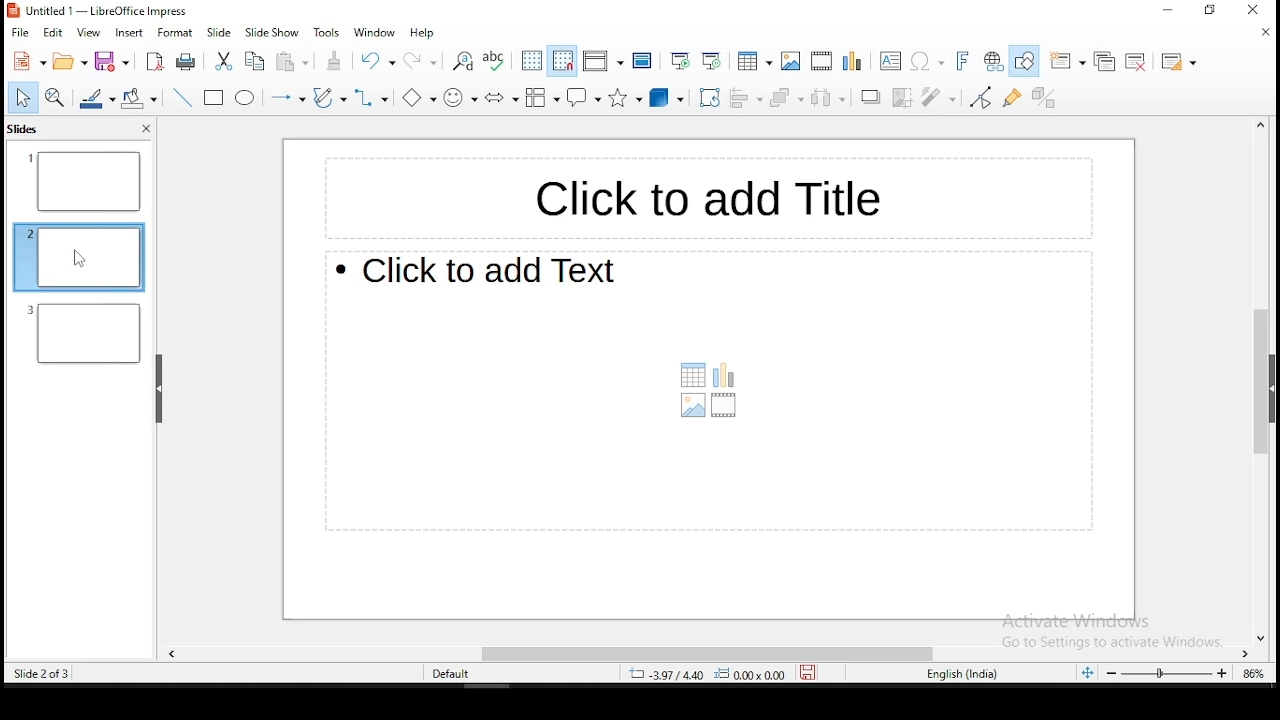  What do you see at coordinates (90, 34) in the screenshot?
I see `view` at bounding box center [90, 34].